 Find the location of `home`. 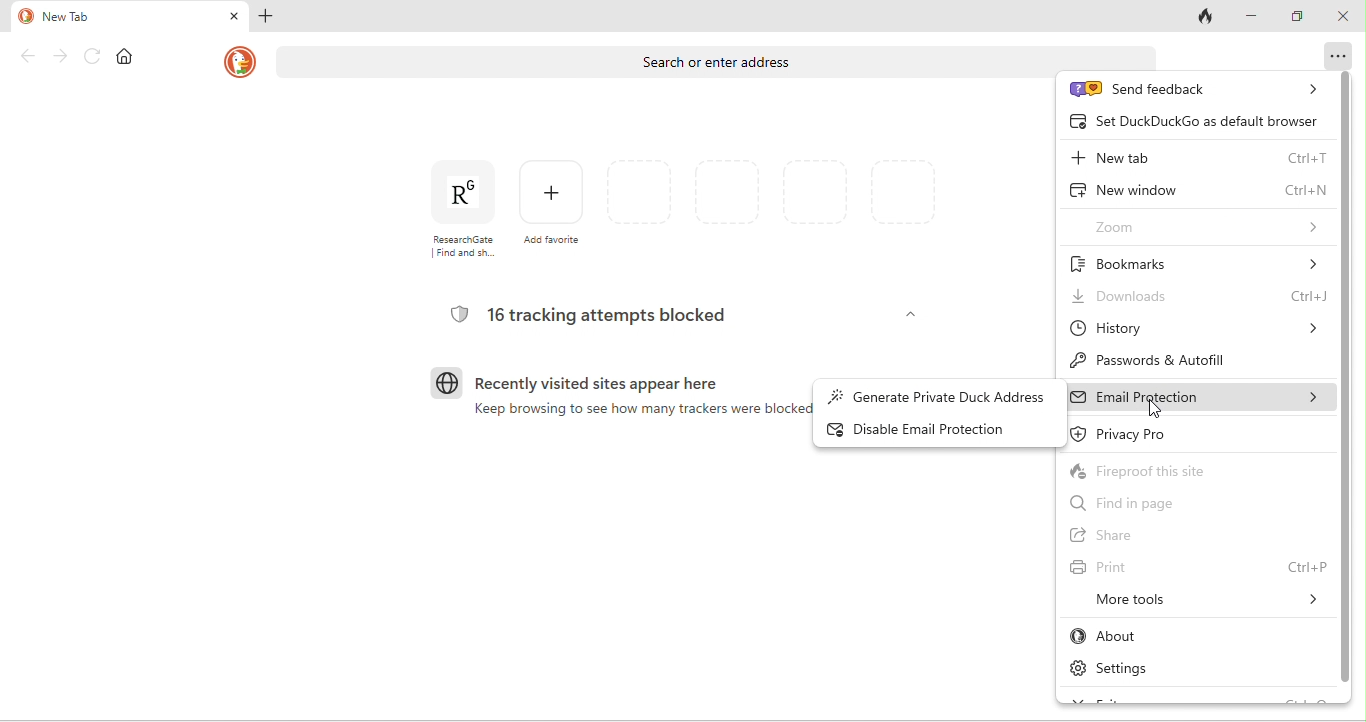

home is located at coordinates (130, 57).